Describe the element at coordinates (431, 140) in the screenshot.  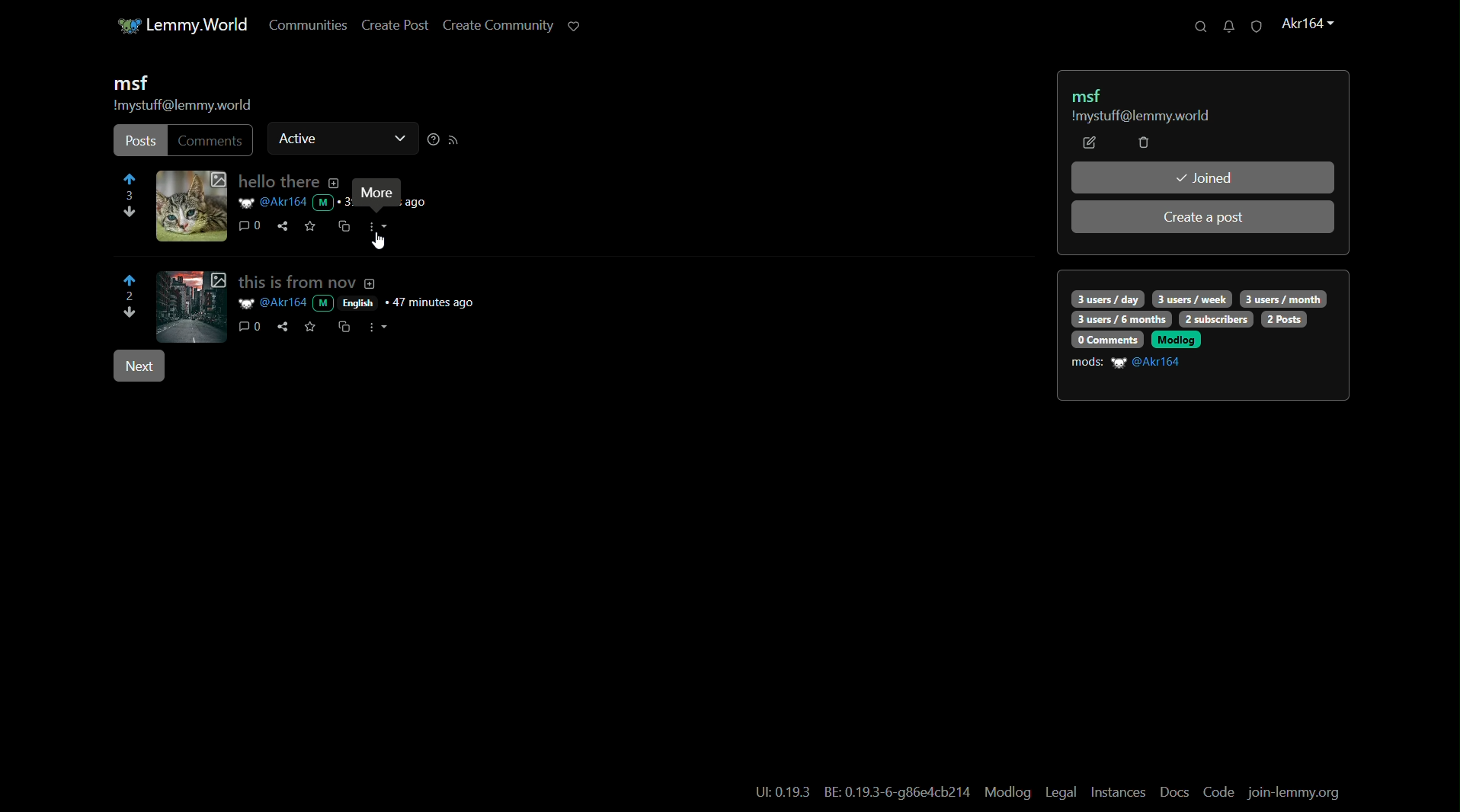
I see `sorting help` at that location.